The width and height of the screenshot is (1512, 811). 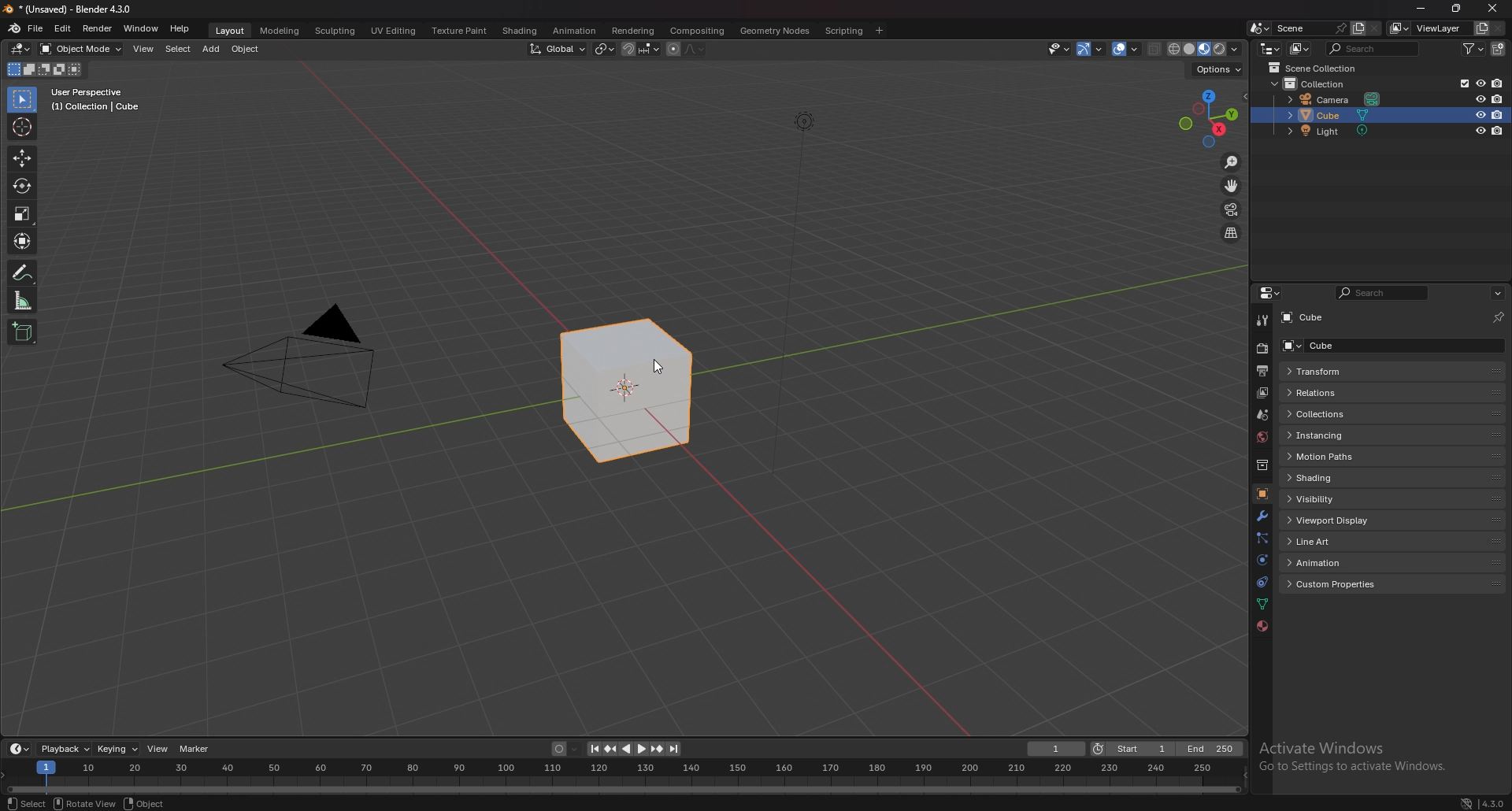 What do you see at coordinates (1311, 28) in the screenshot?
I see `scene` at bounding box center [1311, 28].